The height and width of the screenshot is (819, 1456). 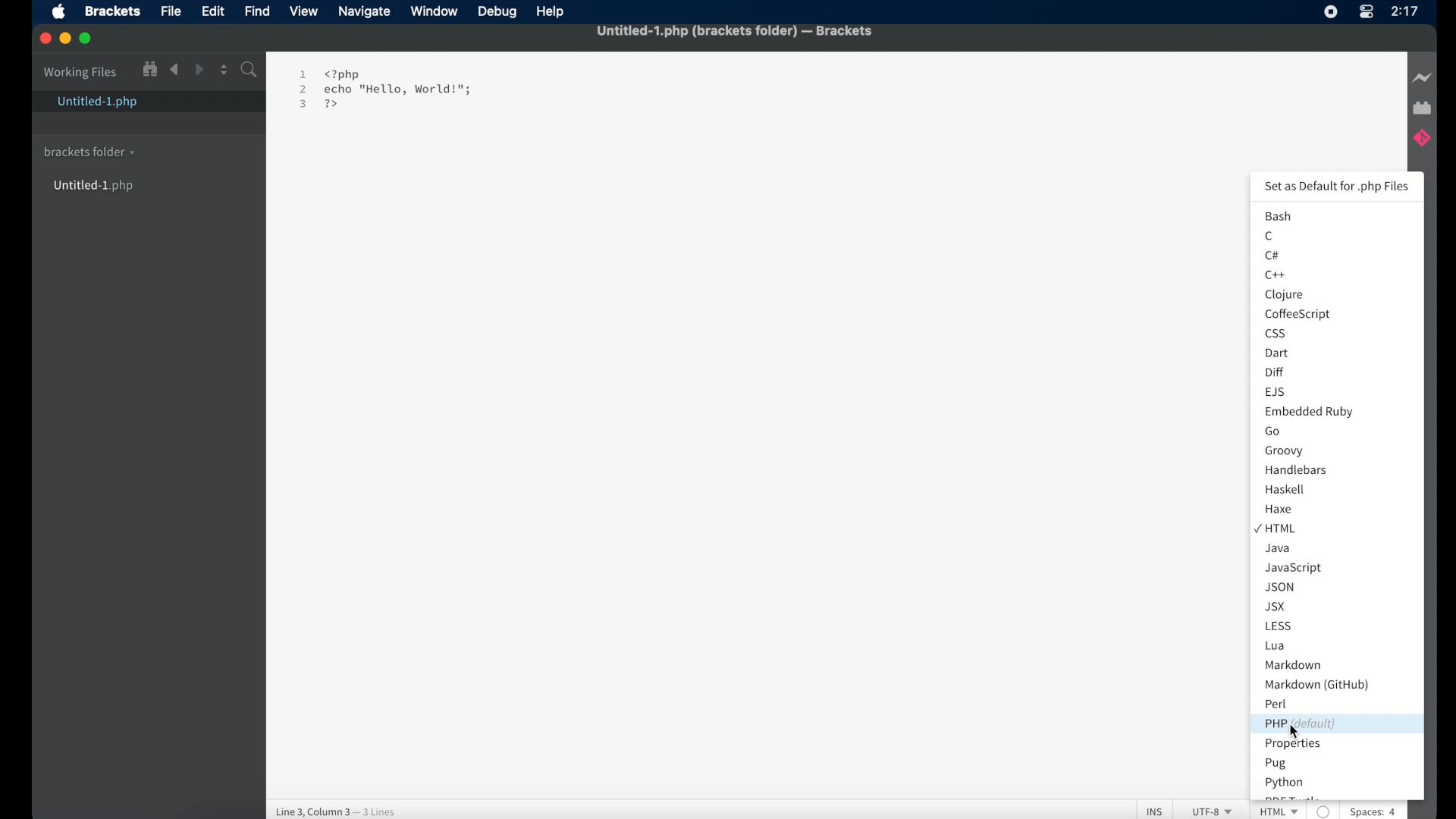 I want to click on navigate, so click(x=365, y=13).